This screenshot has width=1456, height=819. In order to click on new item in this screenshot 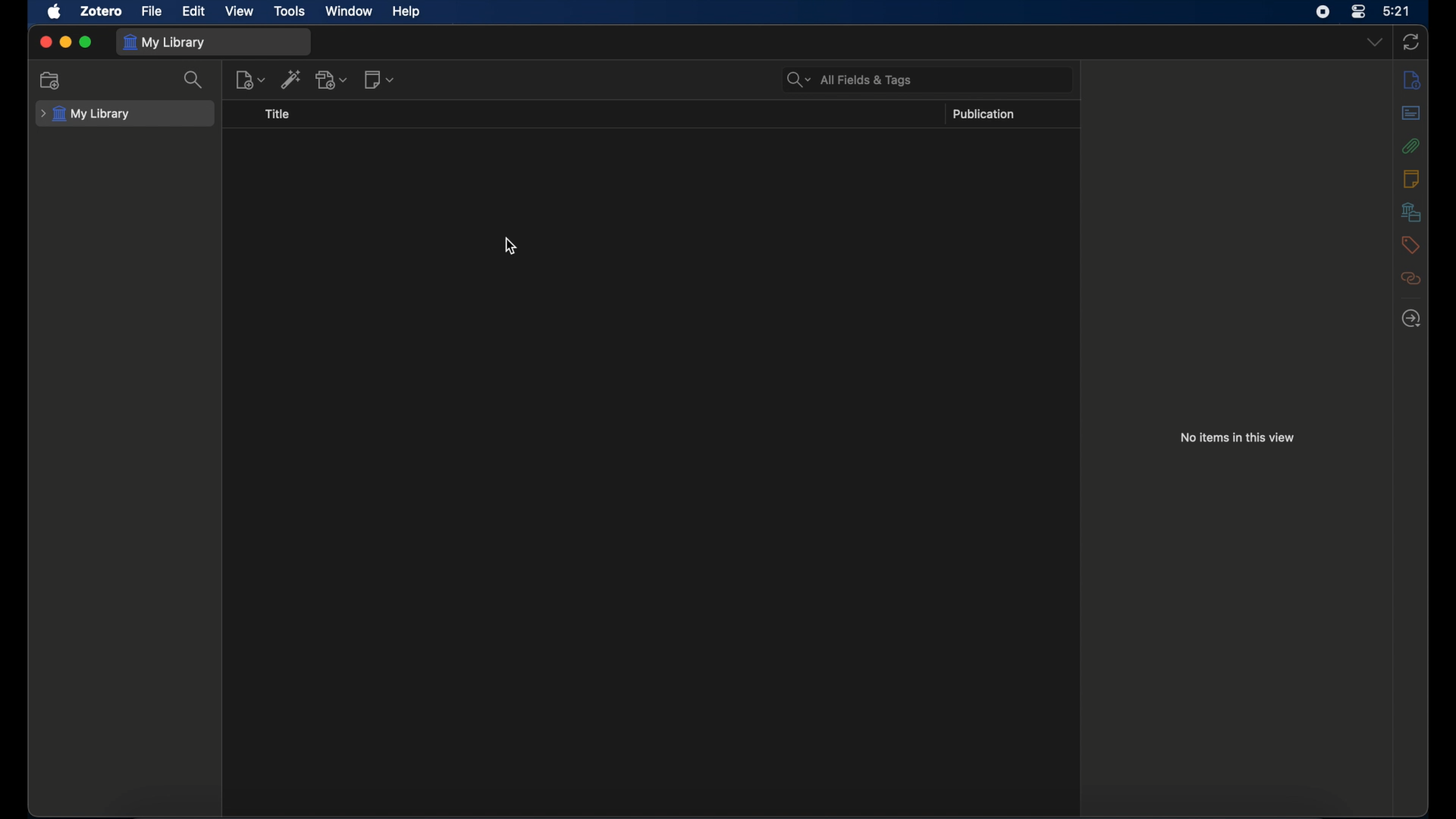, I will do `click(251, 80)`.